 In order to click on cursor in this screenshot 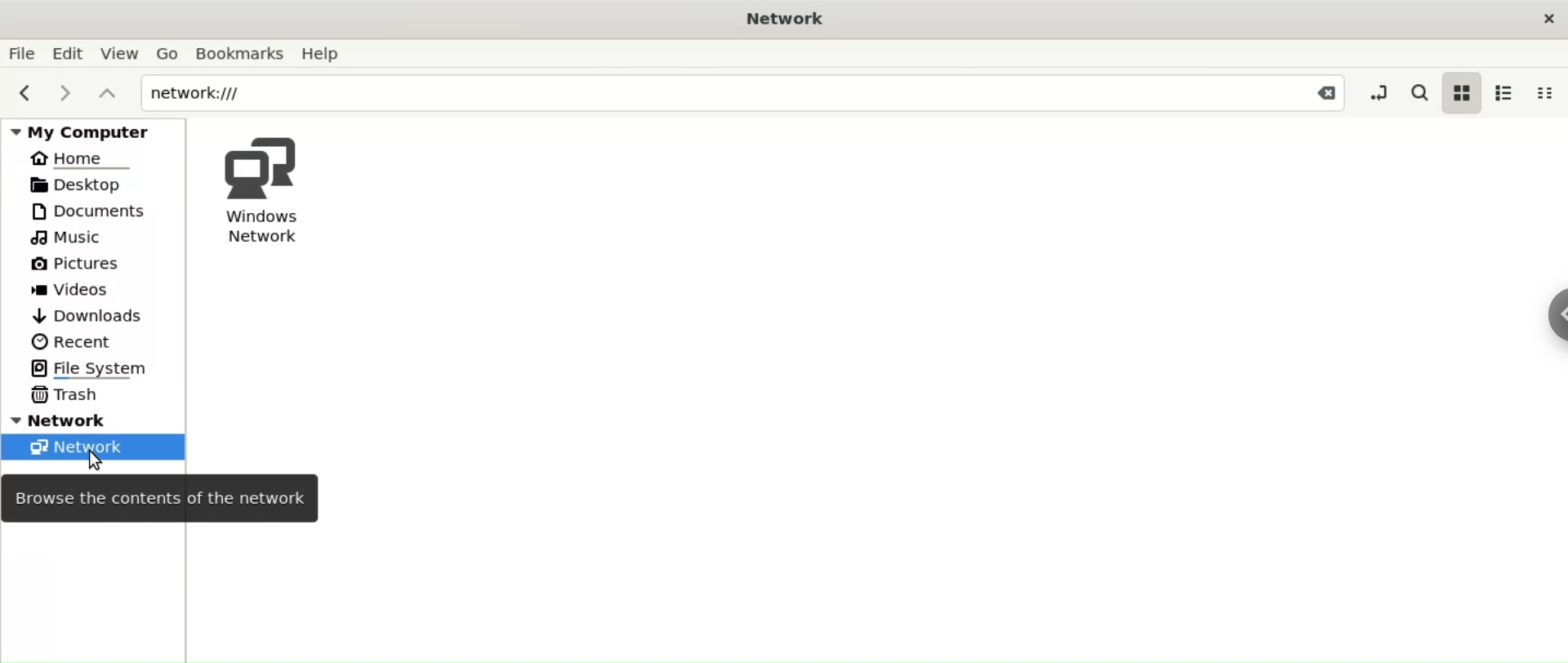, I will do `click(101, 461)`.